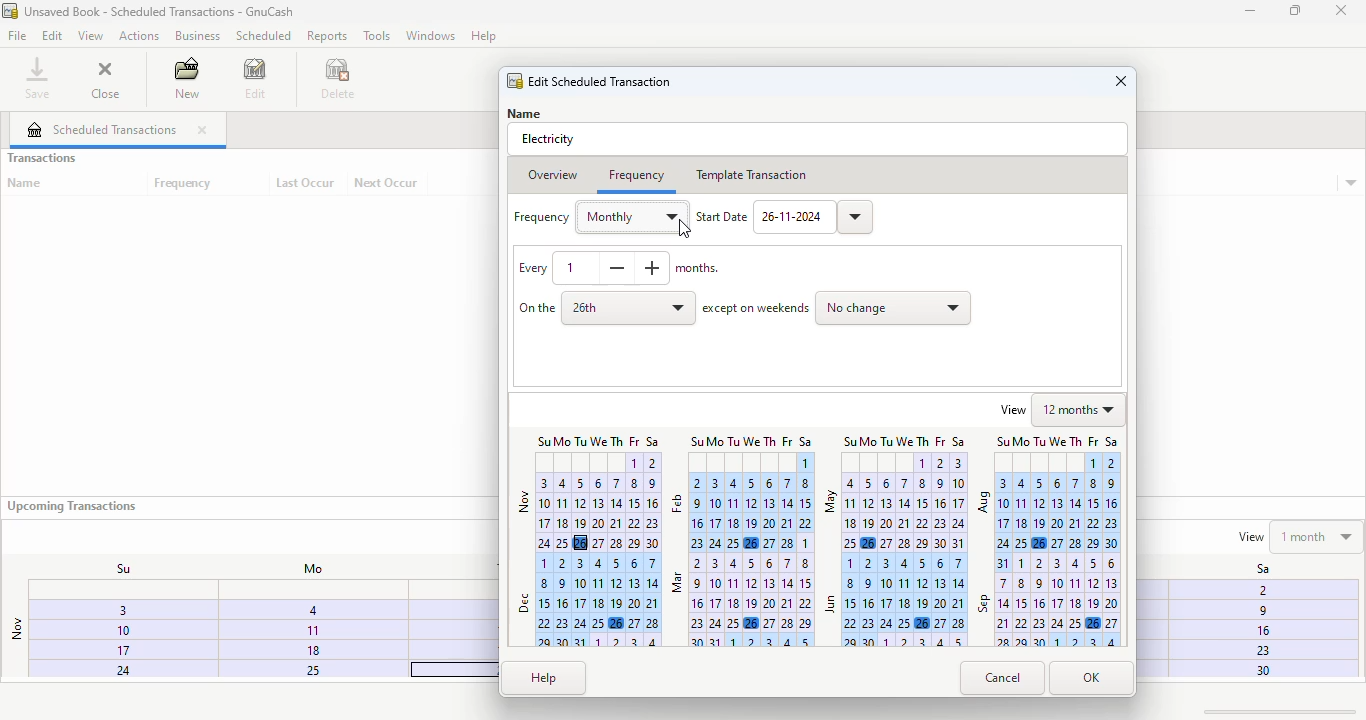 This screenshot has height=720, width=1366. What do you see at coordinates (814, 217) in the screenshot?
I see `26-11-2024` at bounding box center [814, 217].